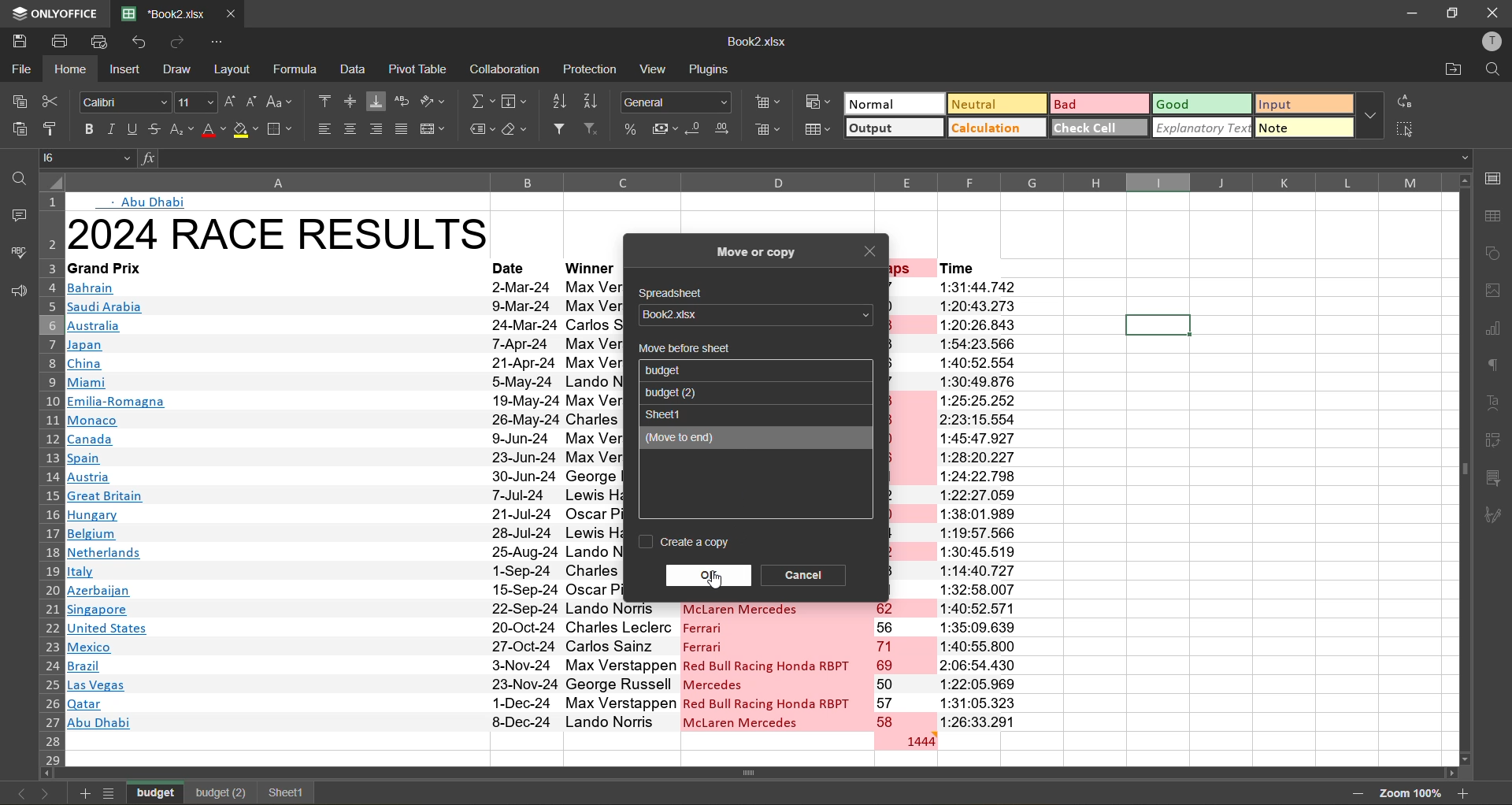 This screenshot has width=1512, height=805. I want to click on cursor, so click(720, 582).